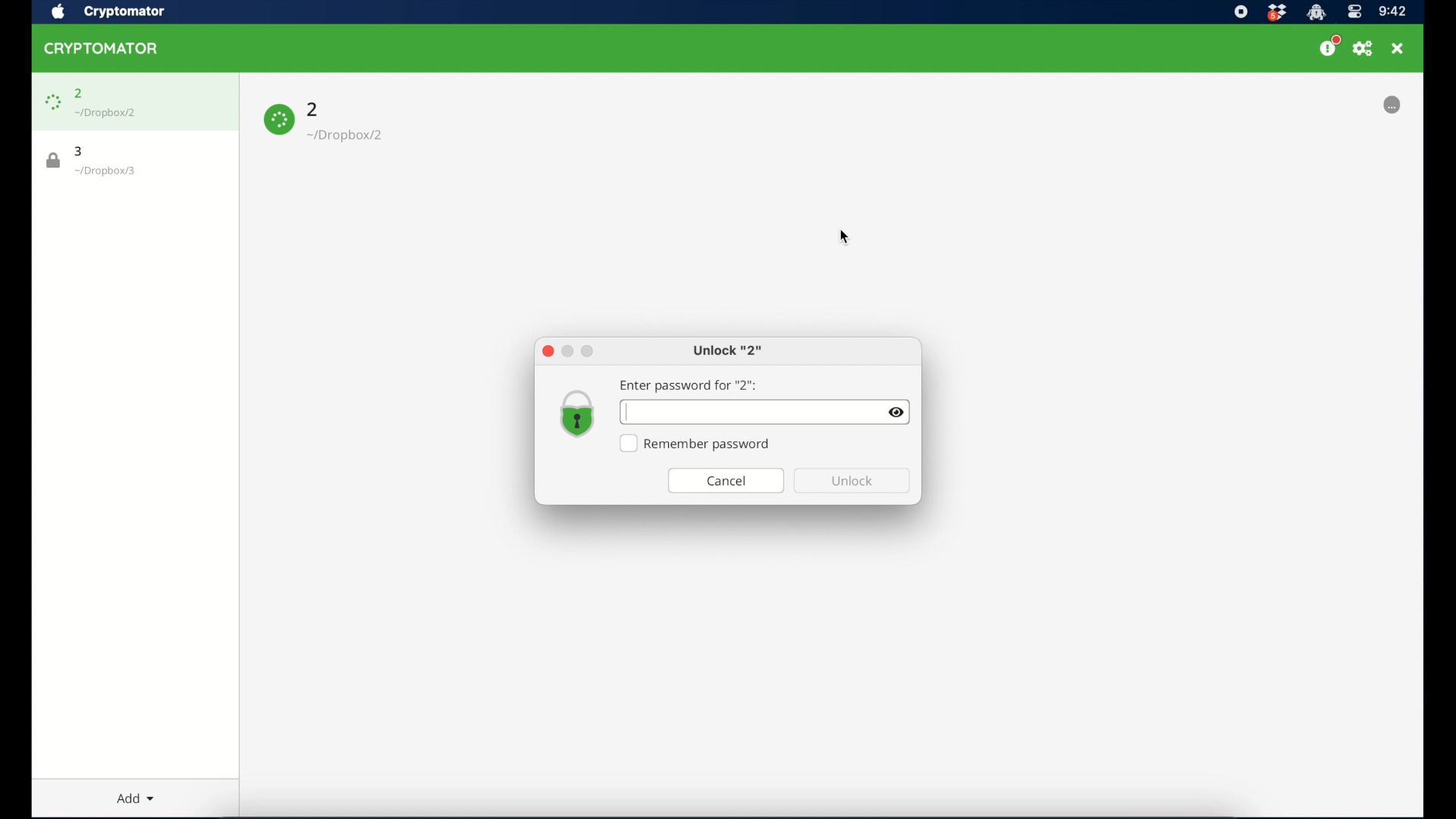  What do you see at coordinates (588, 351) in the screenshot?
I see `maximize` at bounding box center [588, 351].